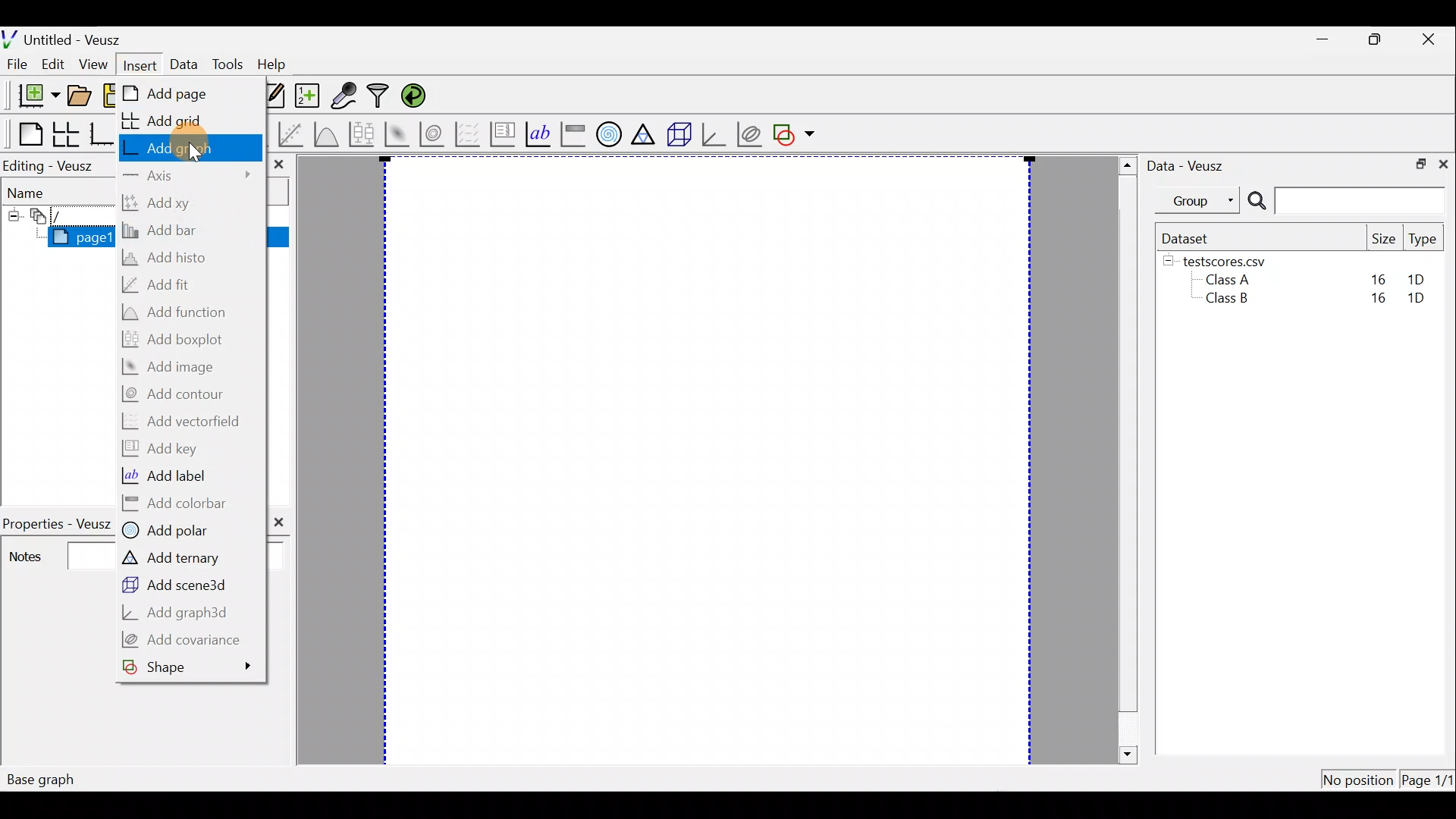 Image resolution: width=1456 pixels, height=819 pixels. Describe the element at coordinates (326, 133) in the screenshot. I see `Plot a function` at that location.